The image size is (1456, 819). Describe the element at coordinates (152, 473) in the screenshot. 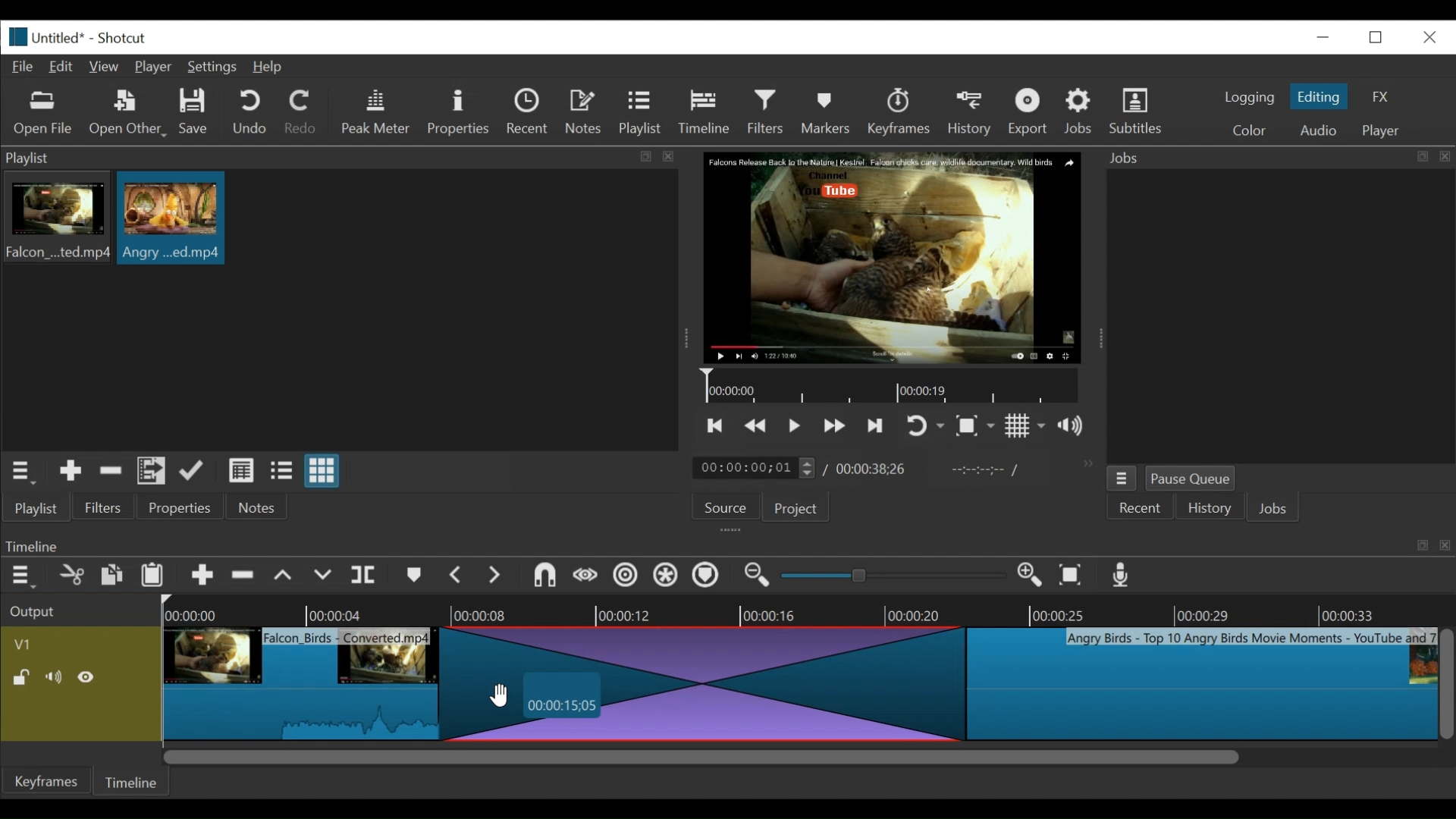

I see `Add files to playlist` at that location.